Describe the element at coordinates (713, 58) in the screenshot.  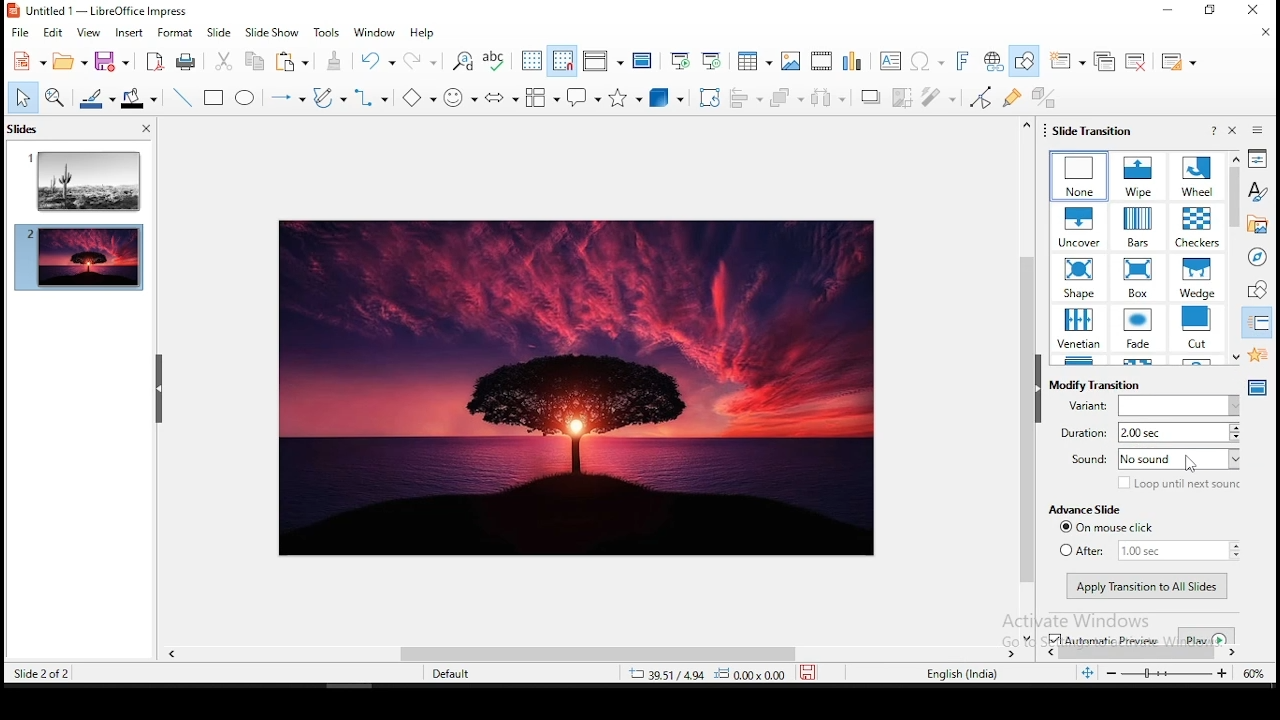
I see `start from current slide` at that location.